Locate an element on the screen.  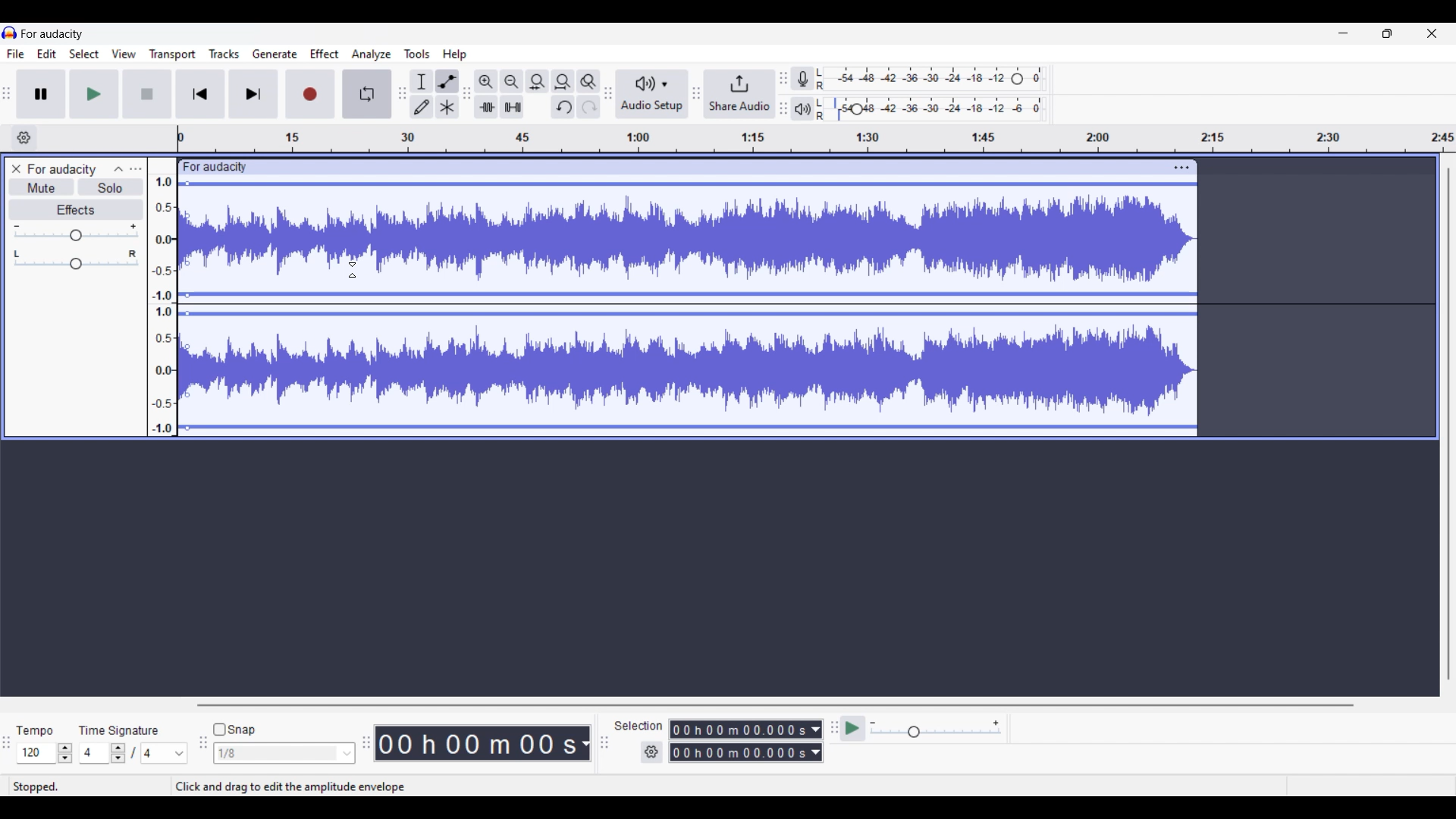
Tempo settings is located at coordinates (45, 753).